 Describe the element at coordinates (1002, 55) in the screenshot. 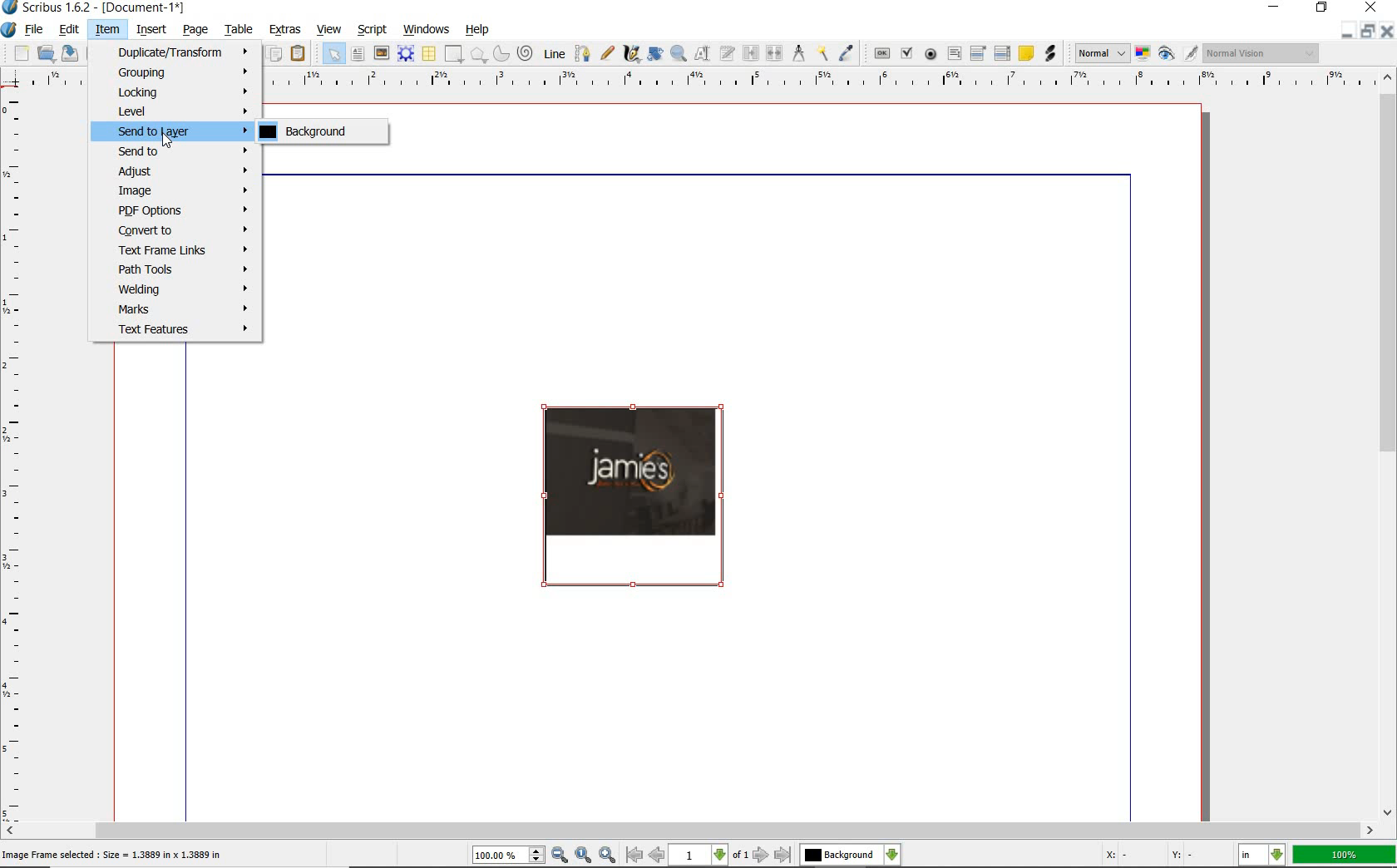

I see `pdf list box` at that location.